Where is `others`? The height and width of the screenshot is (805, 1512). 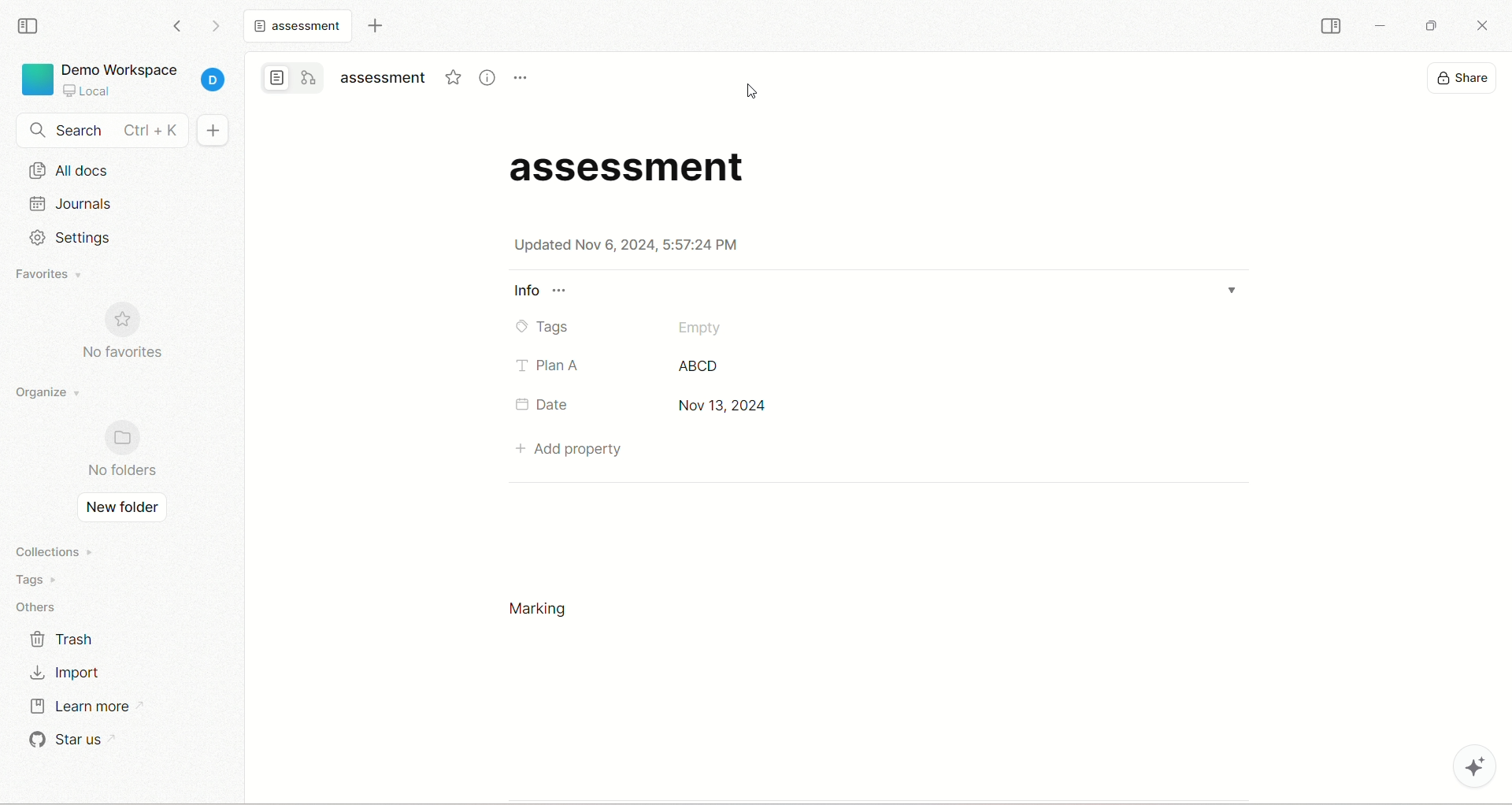
others is located at coordinates (40, 606).